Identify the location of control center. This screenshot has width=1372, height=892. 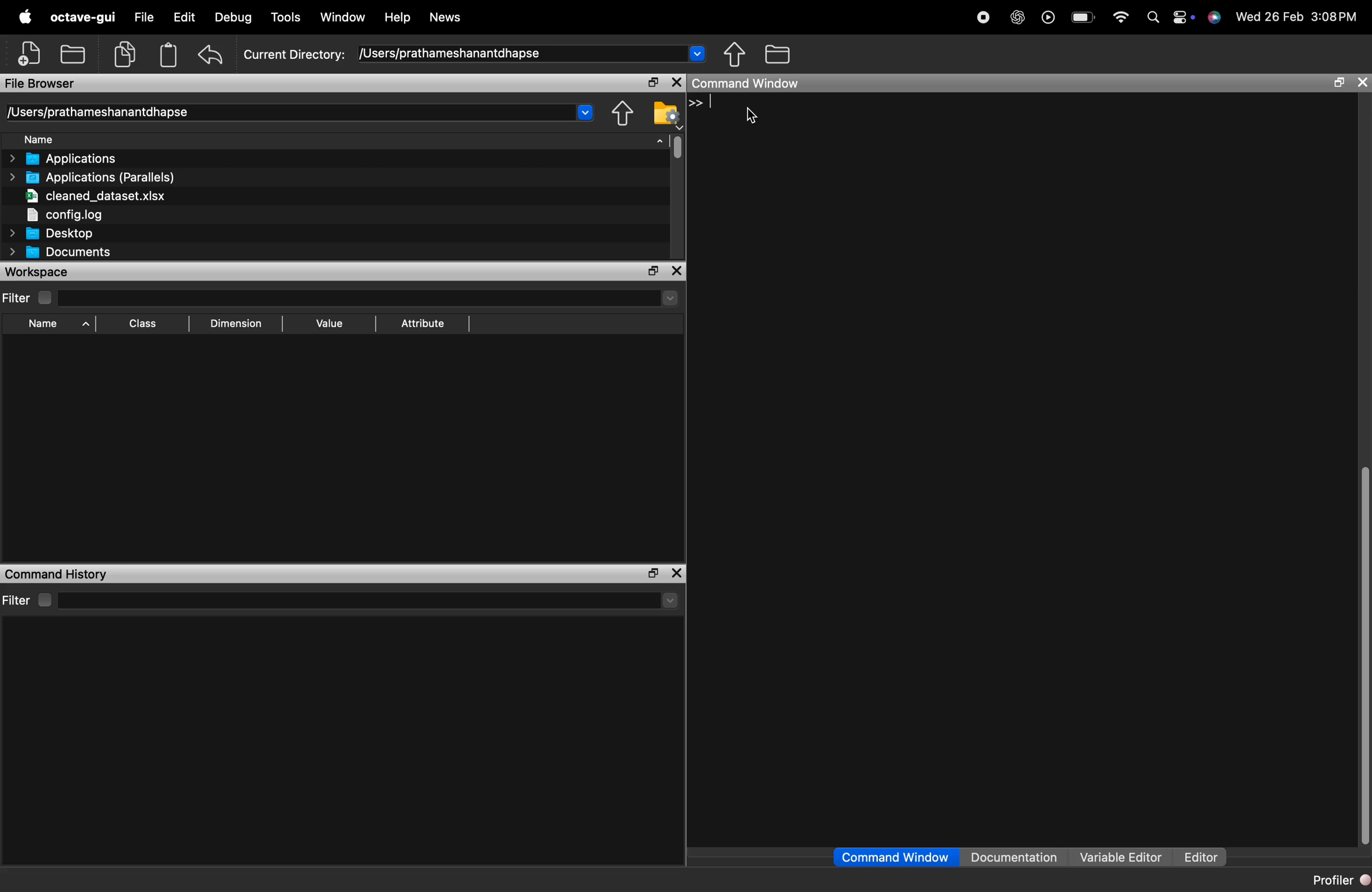
(1183, 17).